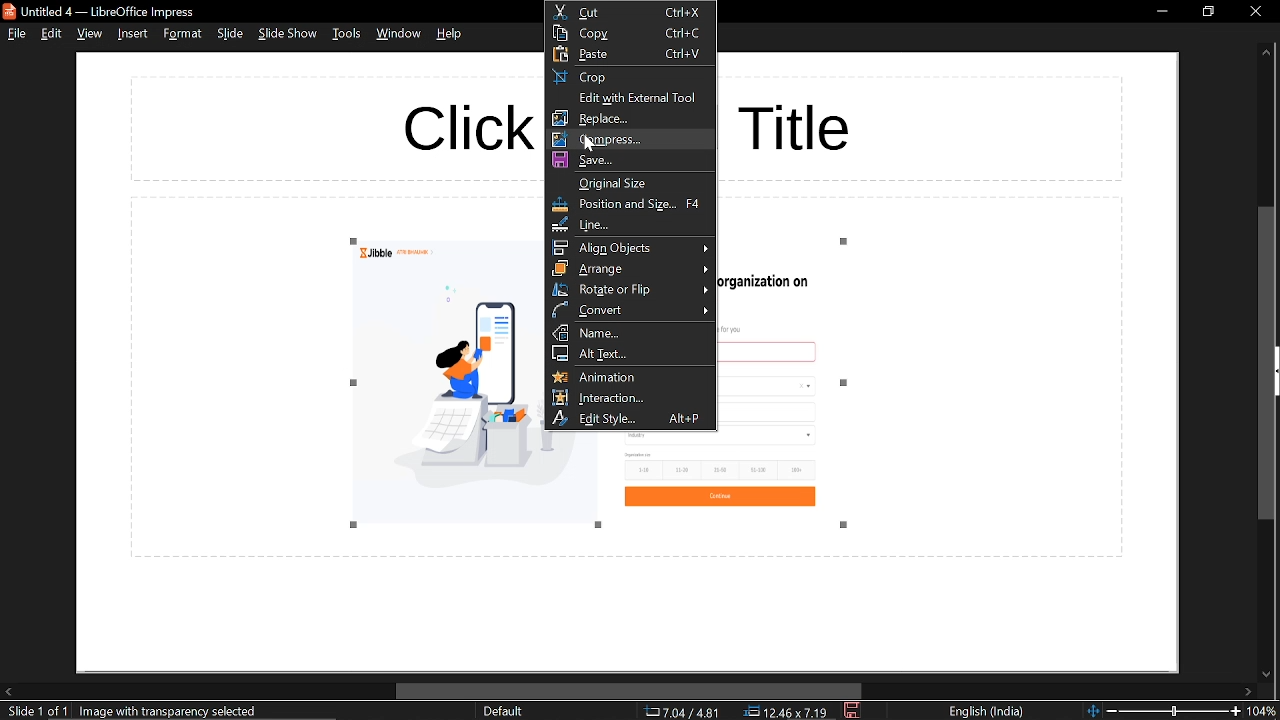 The height and width of the screenshot is (720, 1280). What do you see at coordinates (800, 127) in the screenshot?
I see `title` at bounding box center [800, 127].